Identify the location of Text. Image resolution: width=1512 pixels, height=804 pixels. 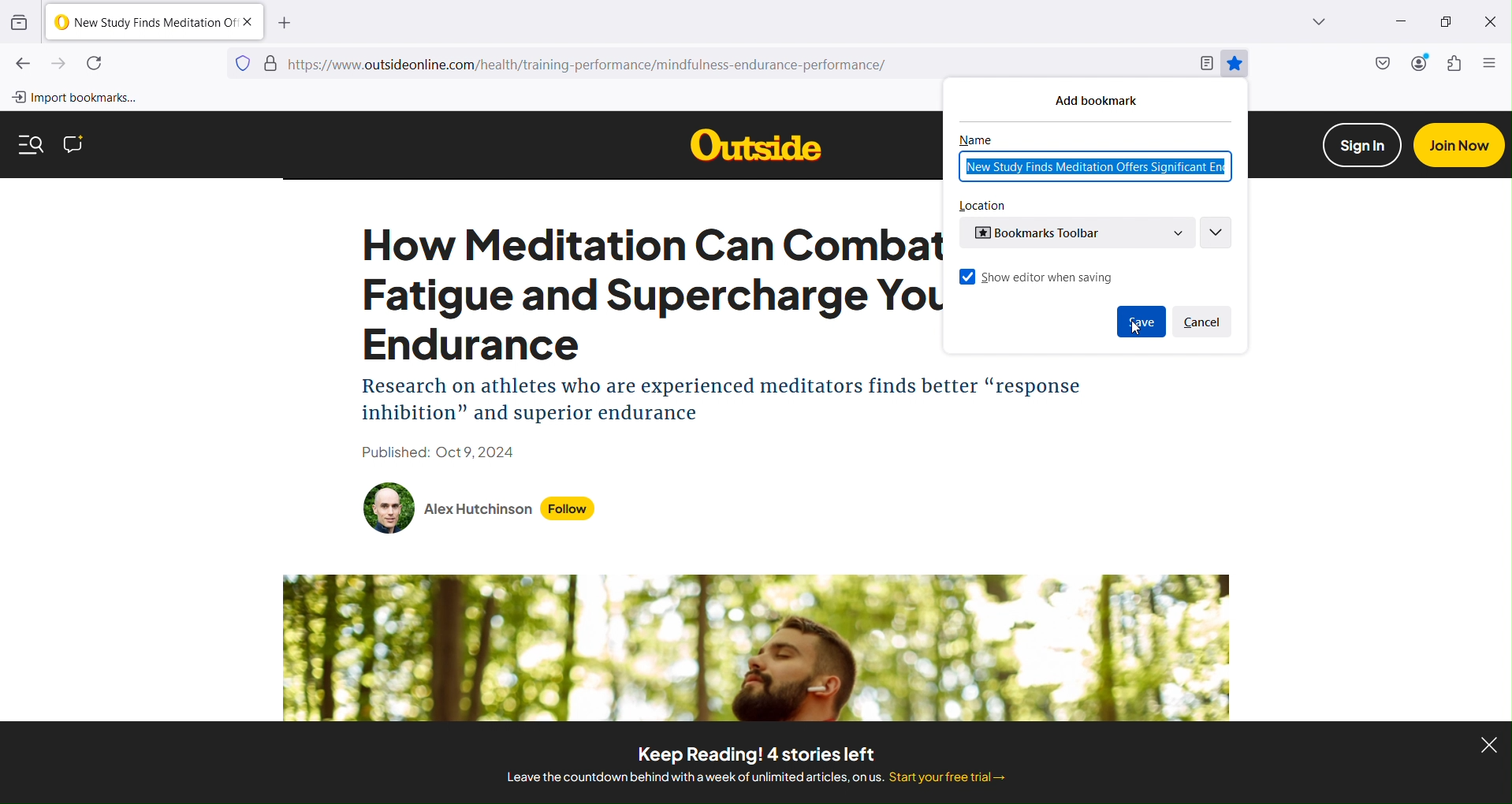
(754, 763).